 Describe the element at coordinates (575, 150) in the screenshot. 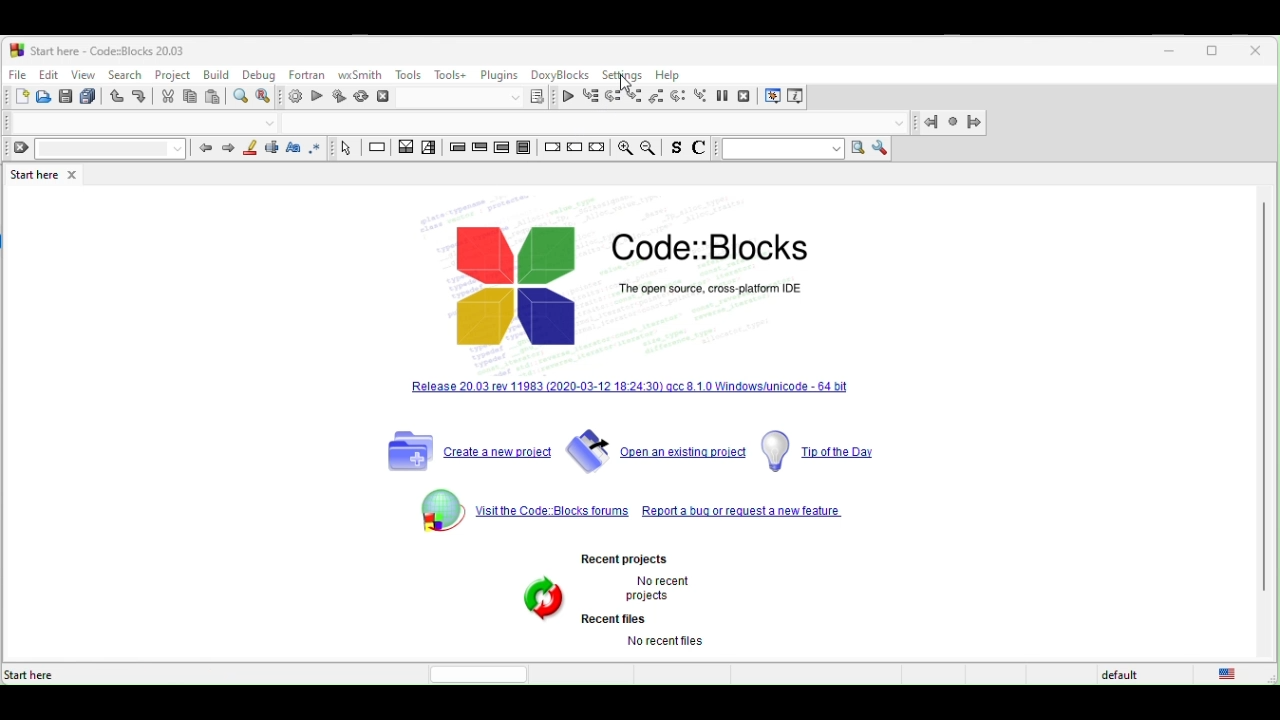

I see `continue` at that location.